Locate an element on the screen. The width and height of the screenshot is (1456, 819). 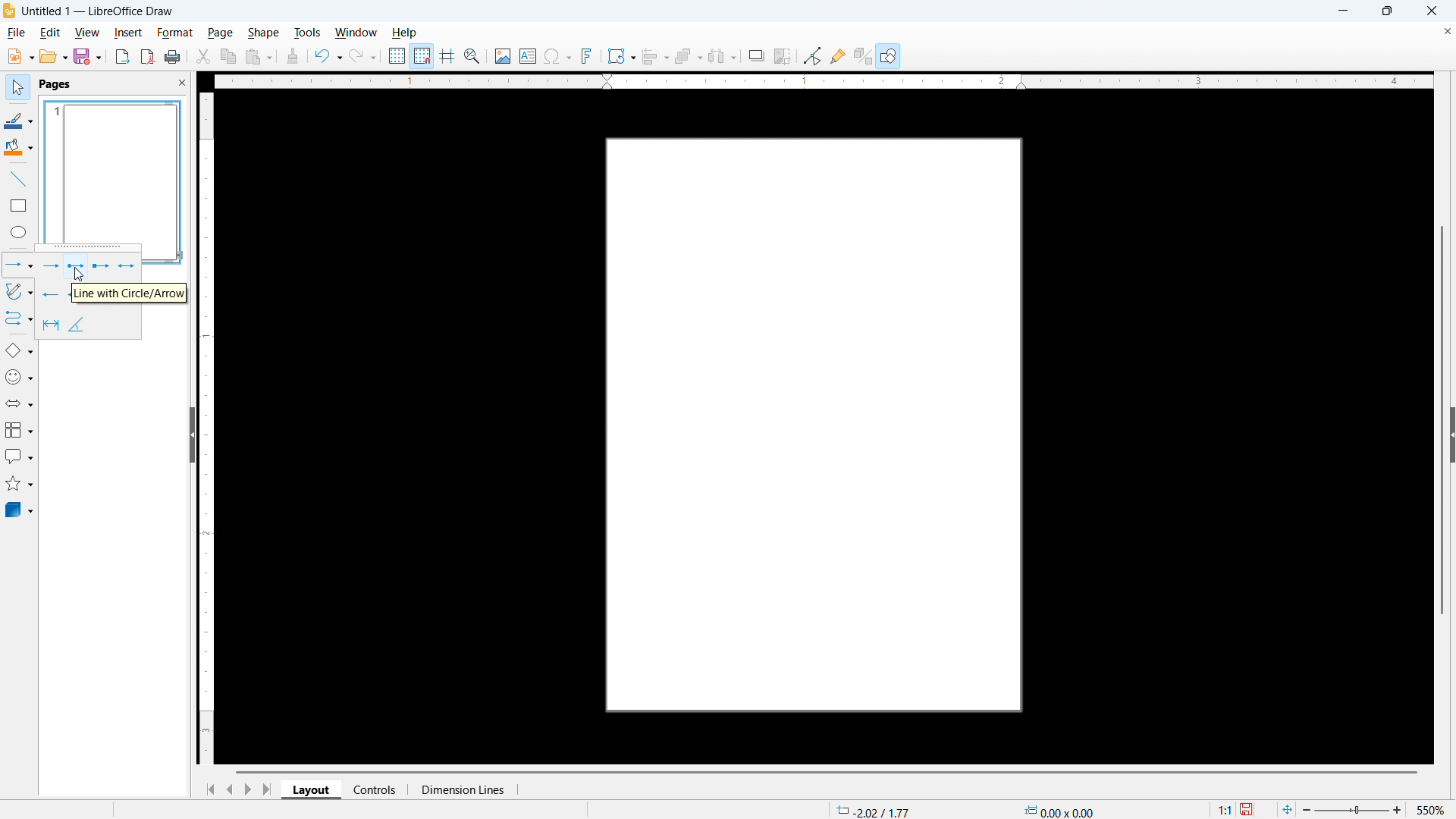
Line with circle  is located at coordinates (75, 267).